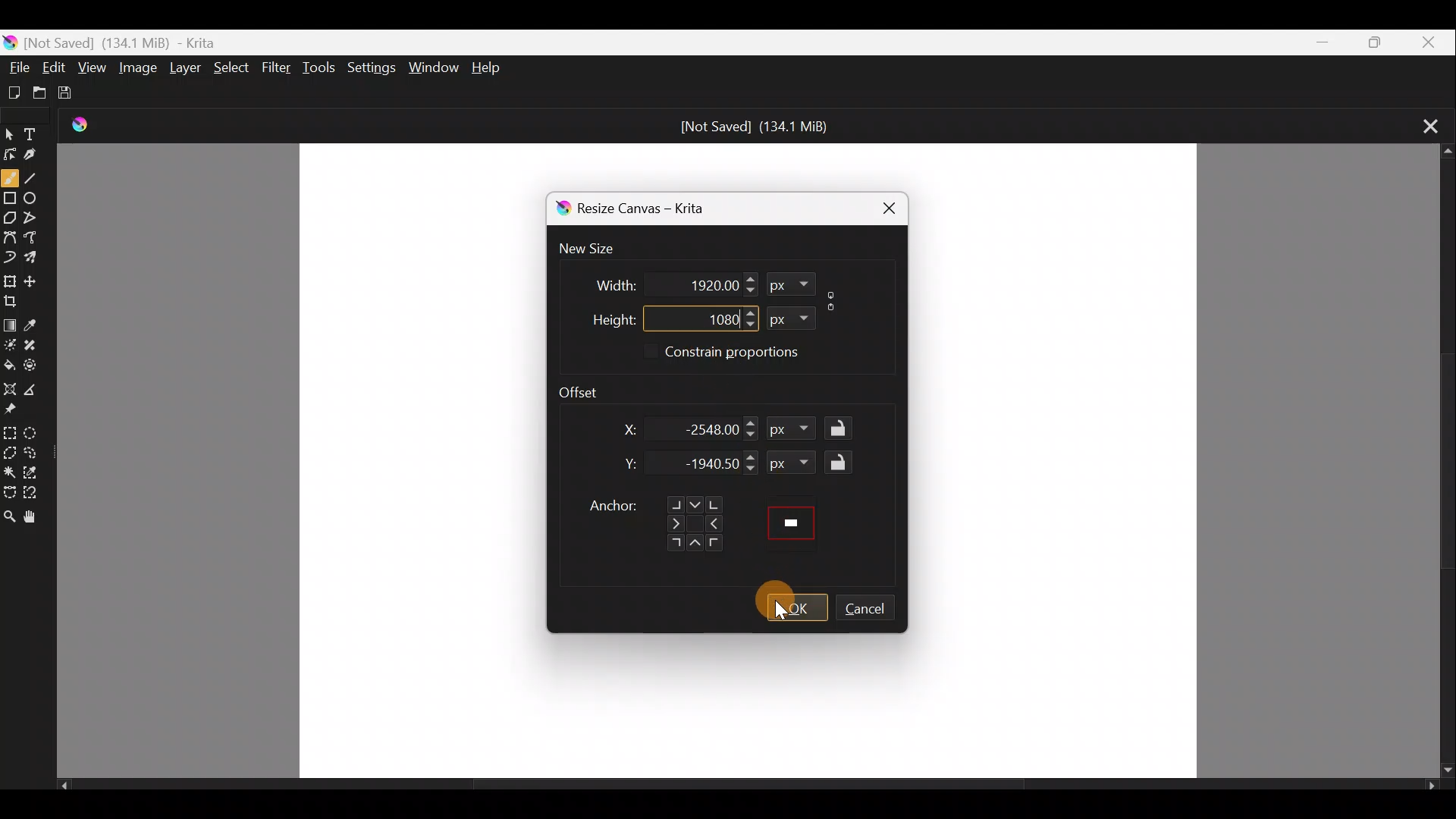 This screenshot has height=819, width=1456. Describe the element at coordinates (11, 454) in the screenshot. I see `Polygonal section tool` at that location.